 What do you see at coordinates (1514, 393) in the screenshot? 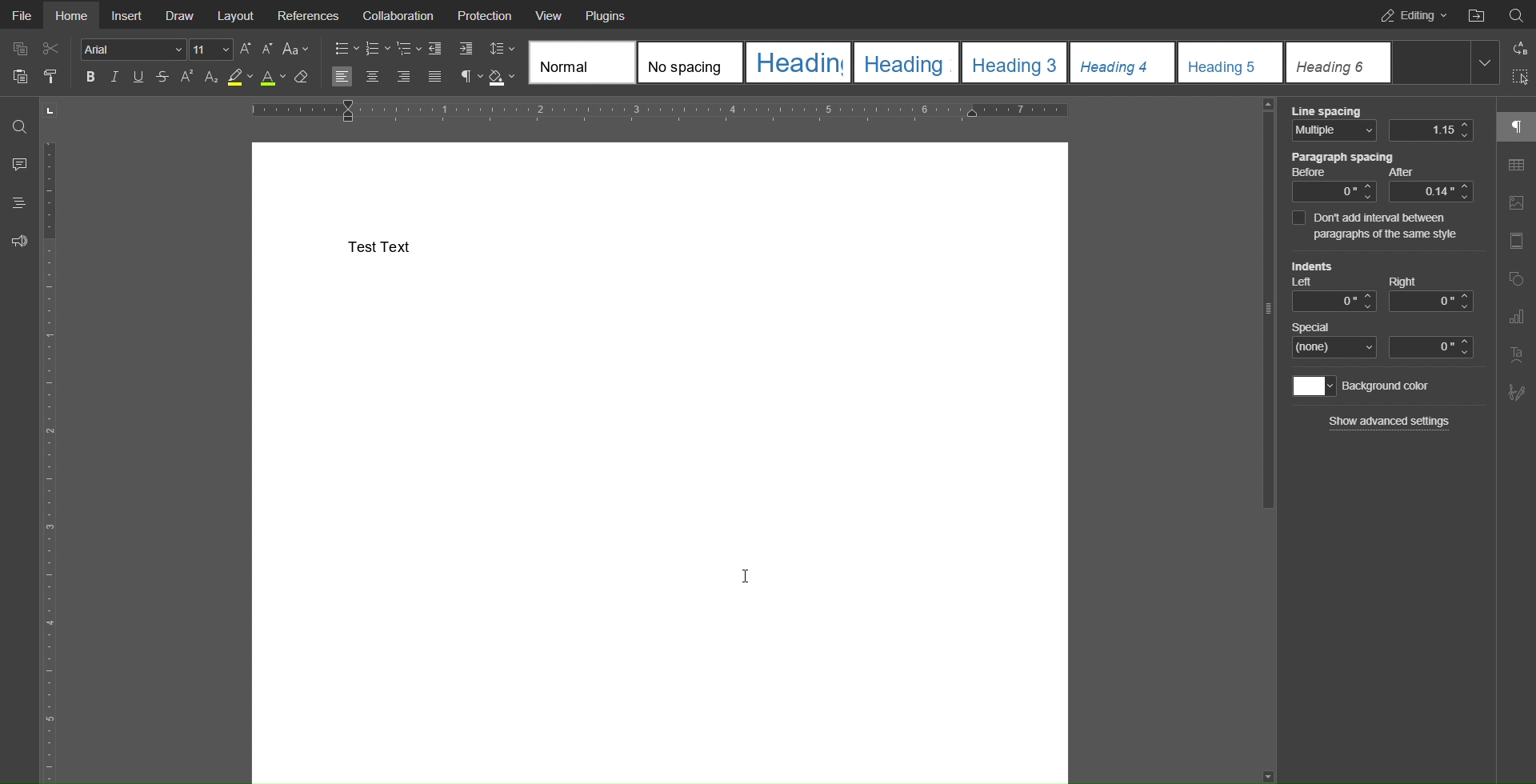
I see `Signature` at bounding box center [1514, 393].